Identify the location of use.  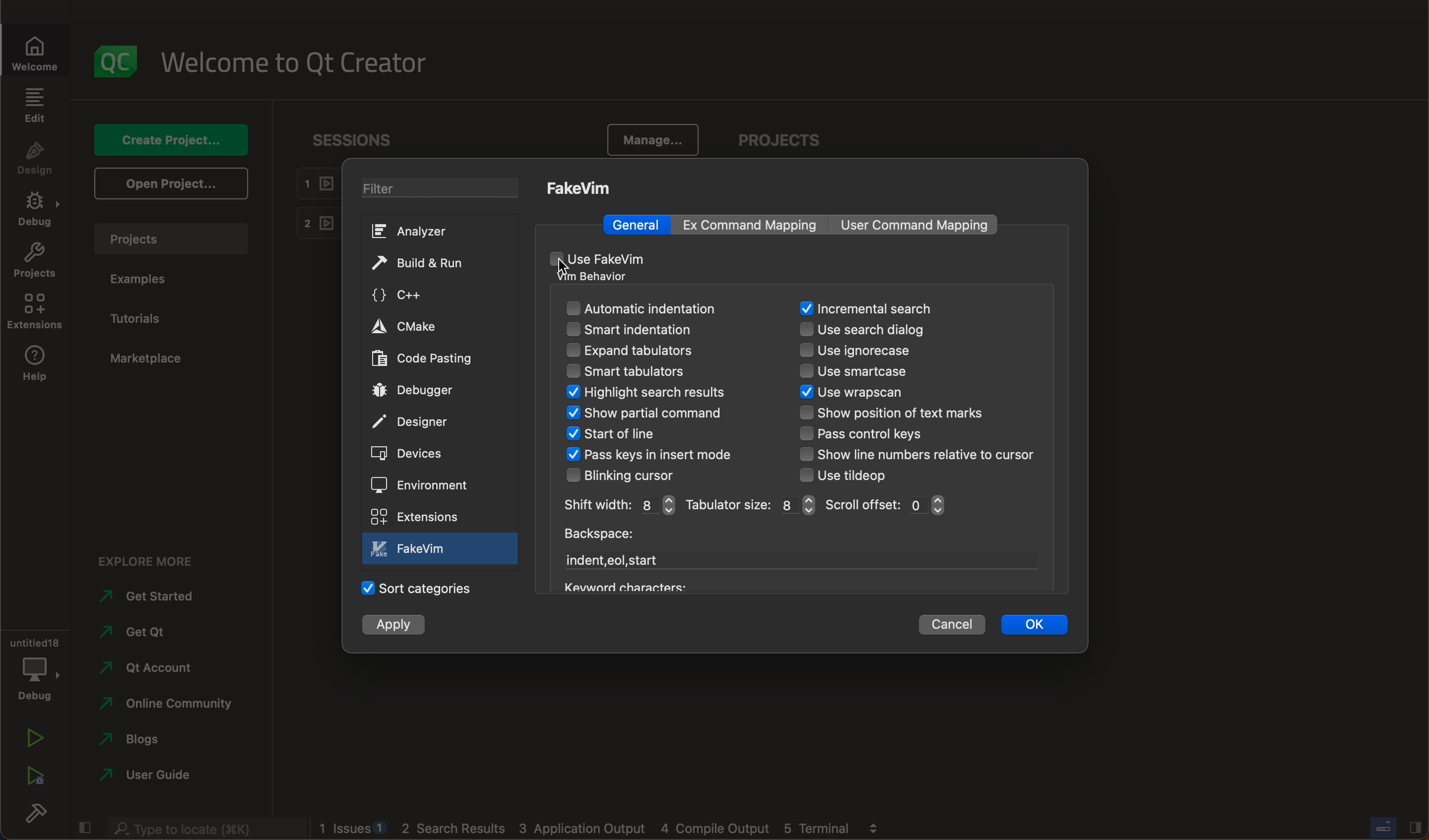
(596, 259).